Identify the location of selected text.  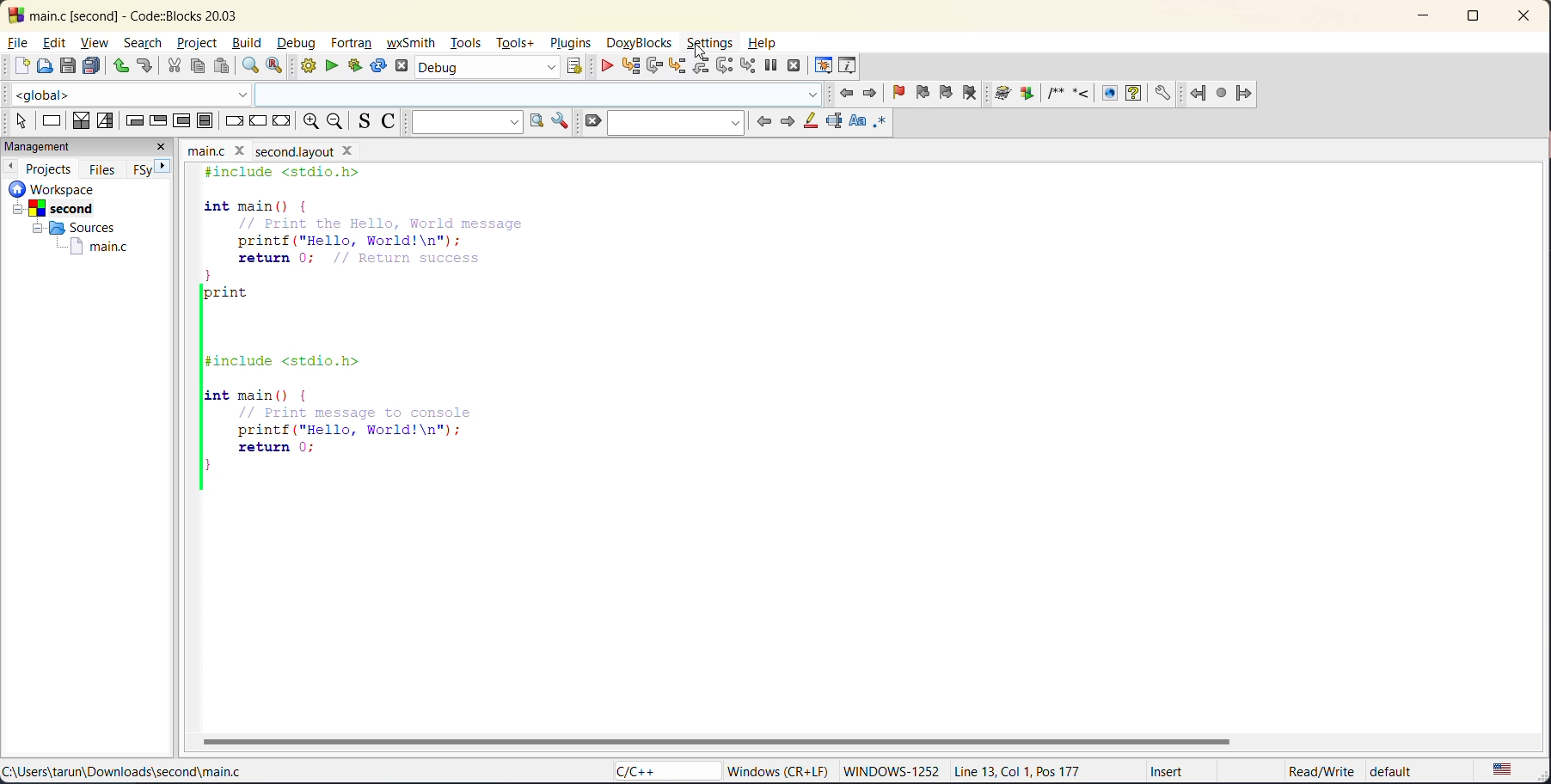
(832, 119).